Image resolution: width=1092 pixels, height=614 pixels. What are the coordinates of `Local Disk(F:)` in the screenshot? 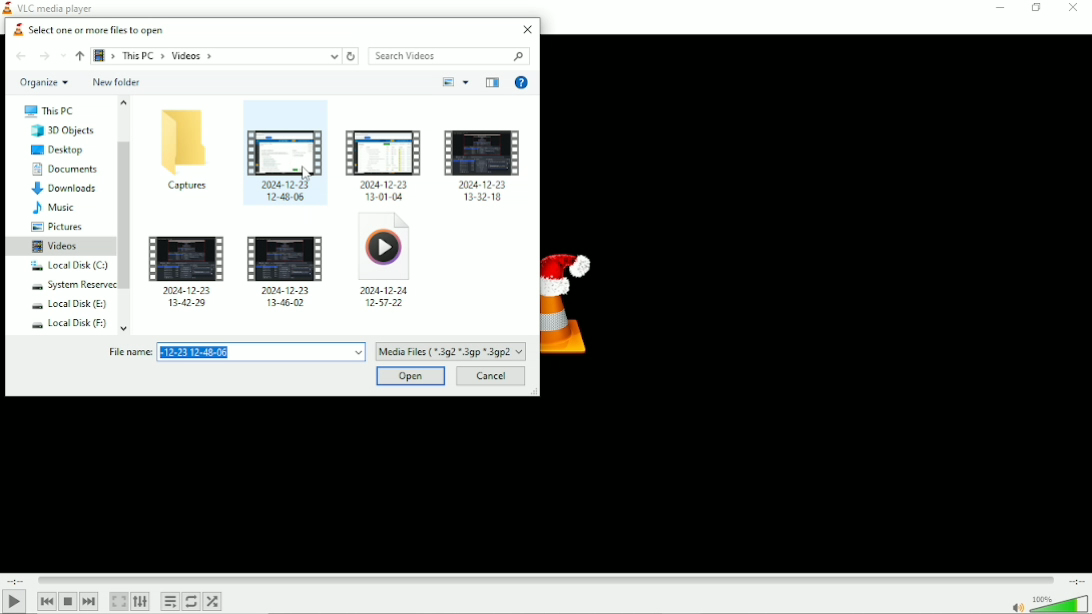 It's located at (67, 323).